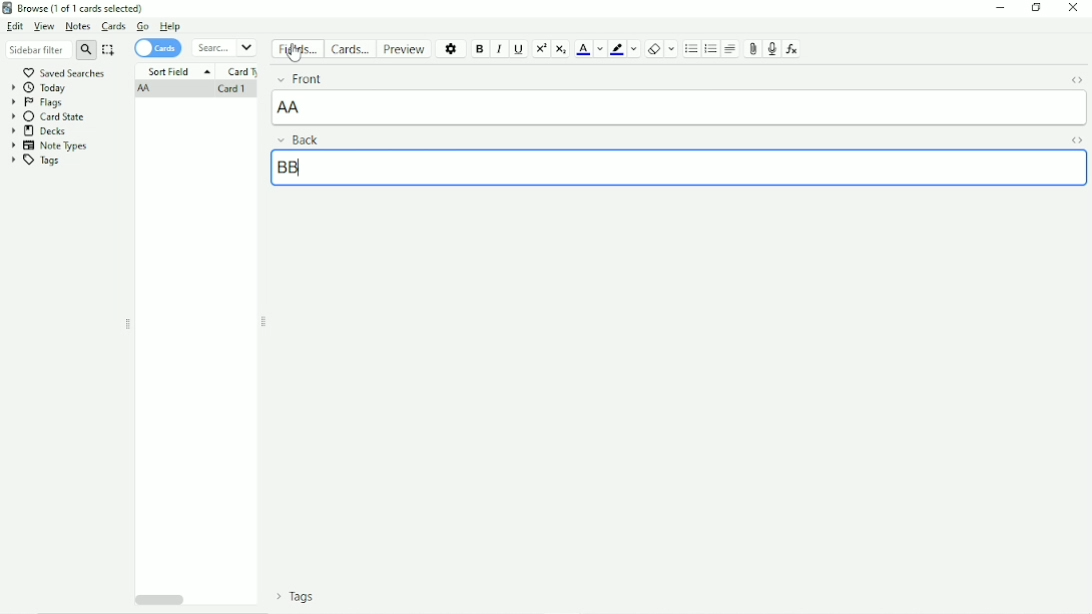 This screenshot has height=614, width=1092. I want to click on Close, so click(1073, 8).